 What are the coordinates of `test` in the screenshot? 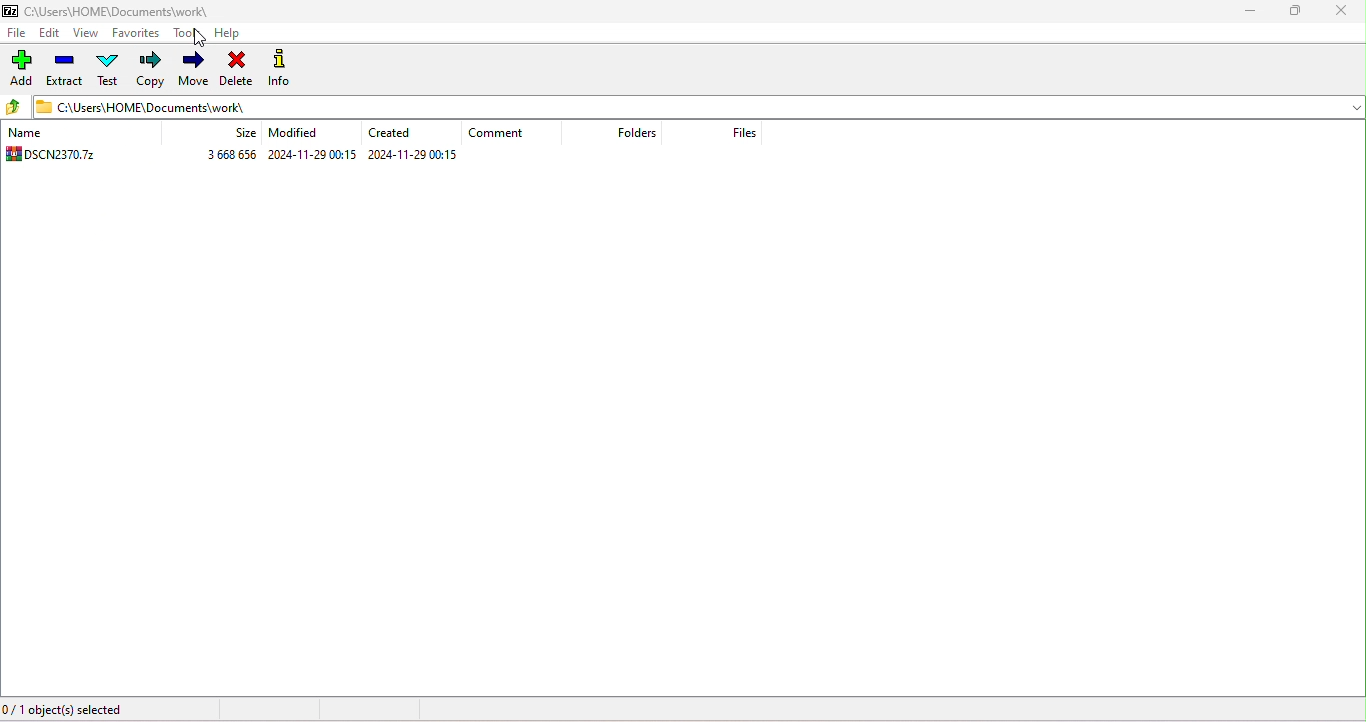 It's located at (110, 71).